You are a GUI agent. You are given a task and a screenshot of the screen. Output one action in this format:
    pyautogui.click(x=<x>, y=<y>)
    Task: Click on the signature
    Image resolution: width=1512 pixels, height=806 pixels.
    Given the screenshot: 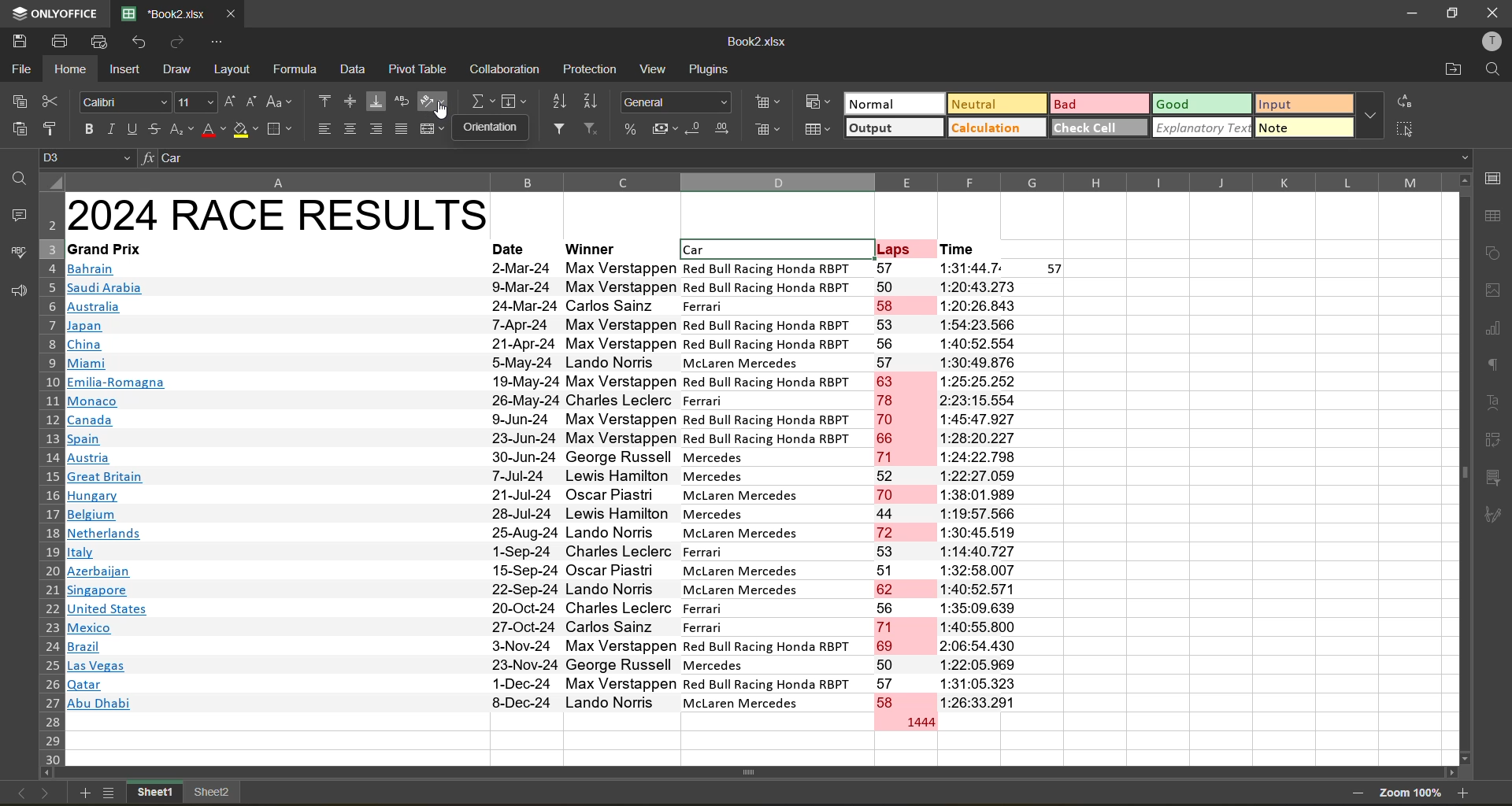 What is the action you would take?
    pyautogui.click(x=1494, y=515)
    